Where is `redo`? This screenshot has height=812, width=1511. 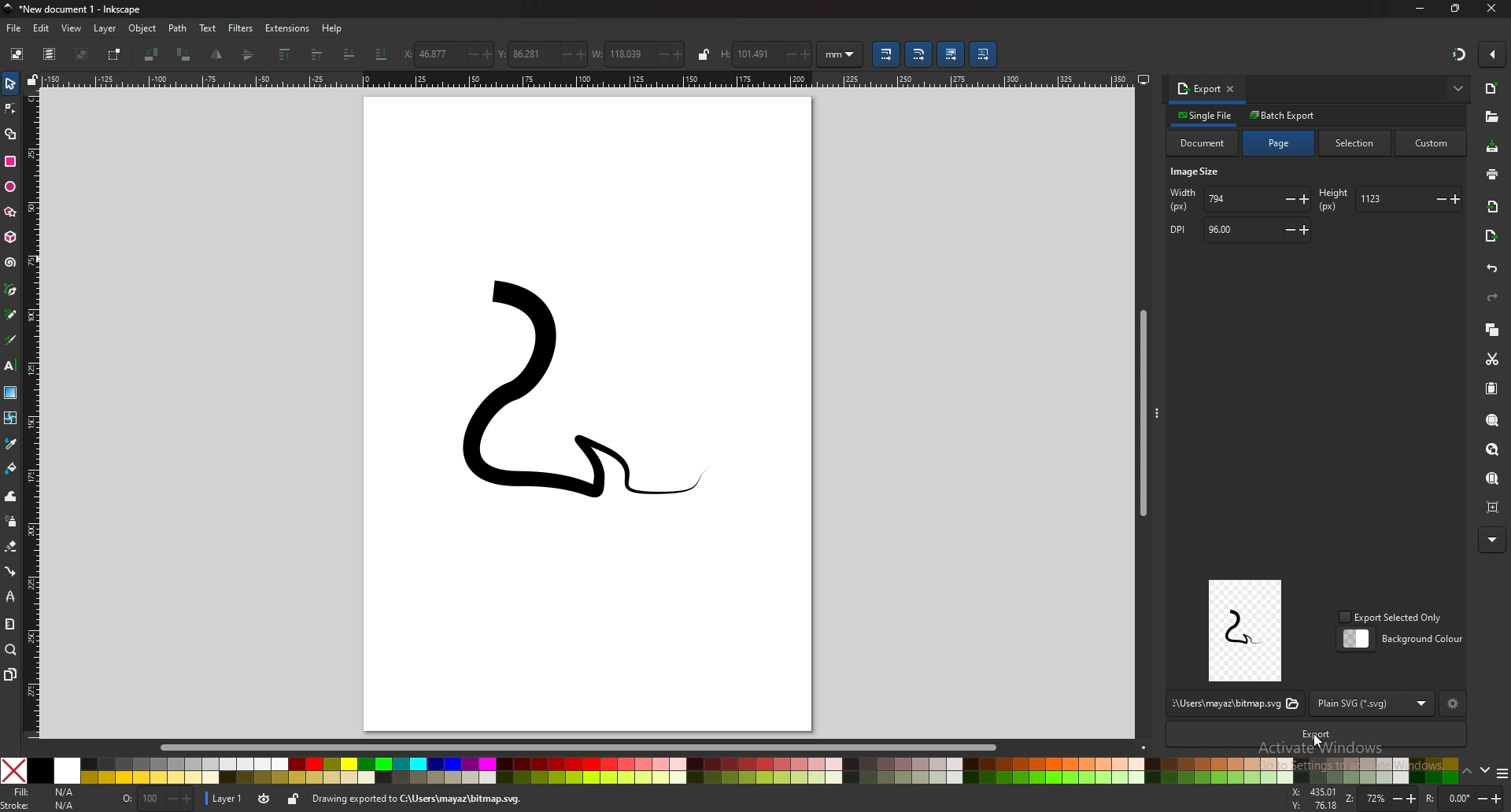 redo is located at coordinates (1494, 297).